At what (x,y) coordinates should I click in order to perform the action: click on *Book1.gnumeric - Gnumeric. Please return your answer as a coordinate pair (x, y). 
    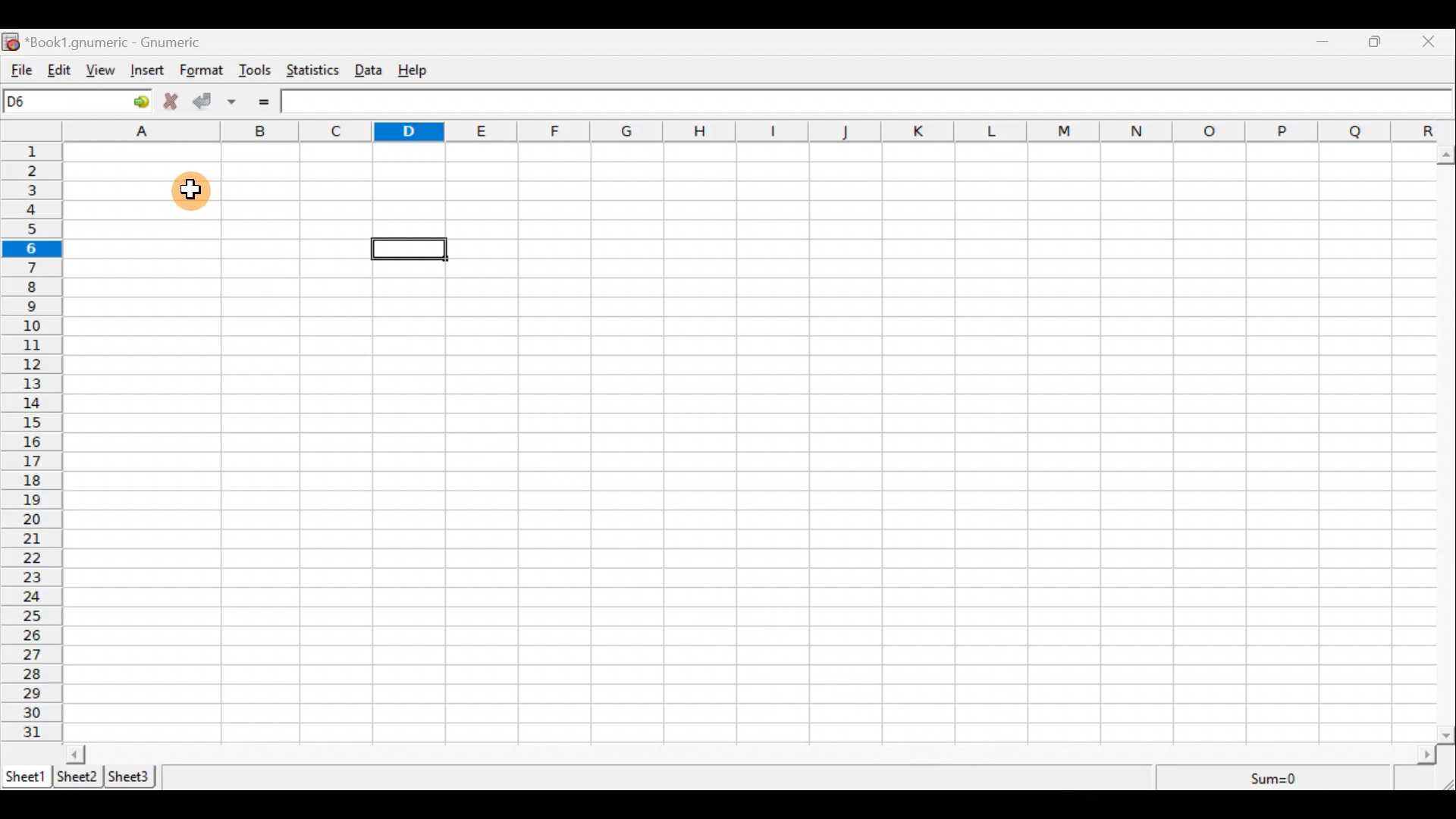
    Looking at the image, I should click on (123, 42).